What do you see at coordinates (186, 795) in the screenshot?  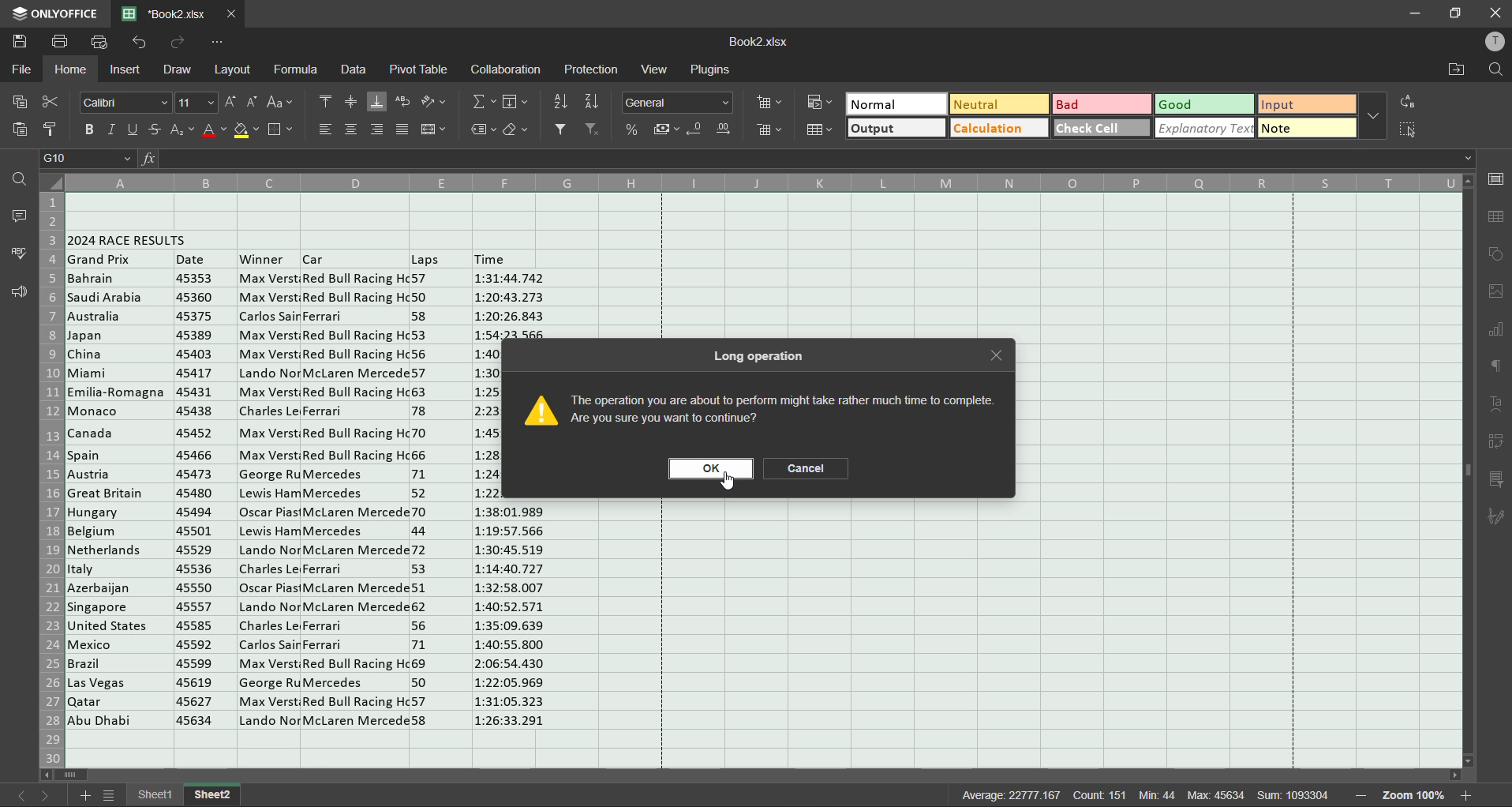 I see `sheet names` at bounding box center [186, 795].